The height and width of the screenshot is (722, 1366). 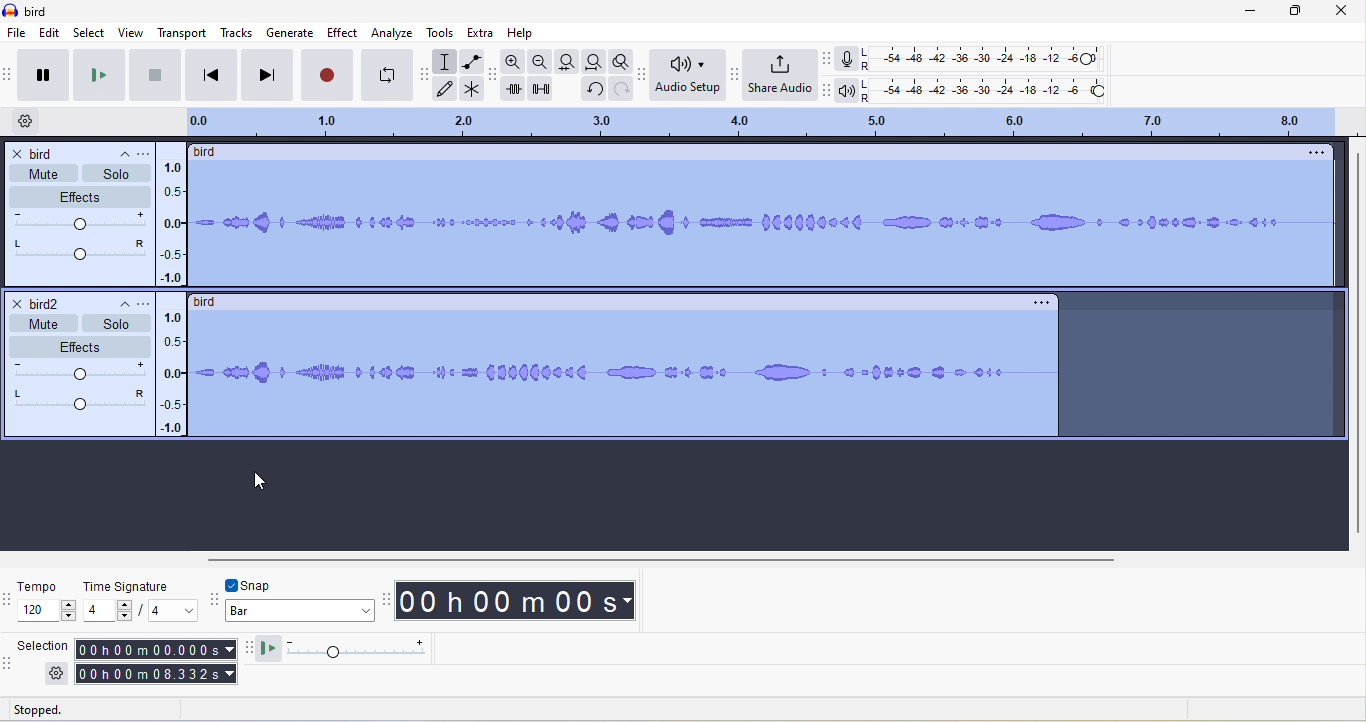 What do you see at coordinates (591, 92) in the screenshot?
I see `undo` at bounding box center [591, 92].